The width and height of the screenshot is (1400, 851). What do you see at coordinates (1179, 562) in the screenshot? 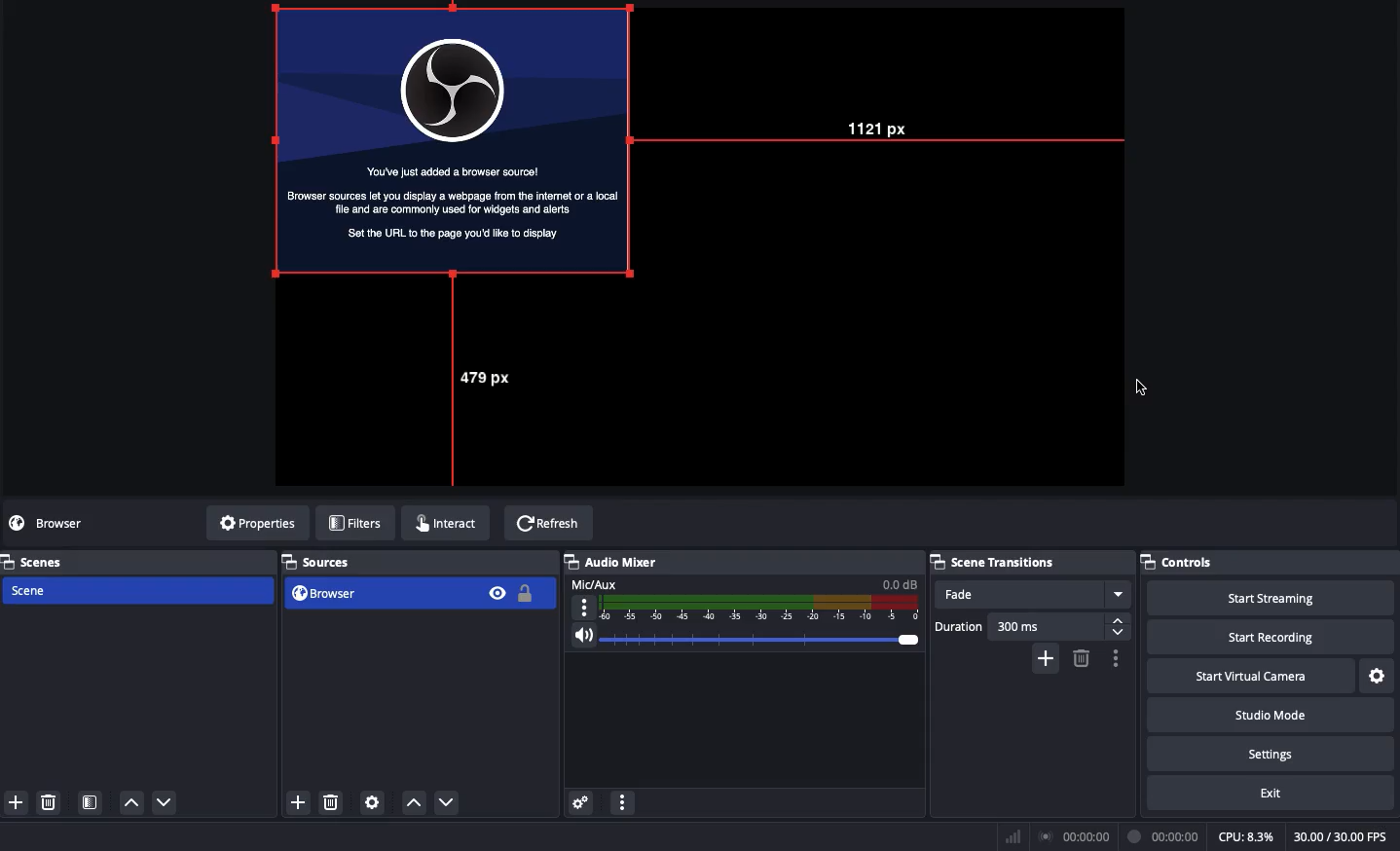
I see `Controls` at bounding box center [1179, 562].